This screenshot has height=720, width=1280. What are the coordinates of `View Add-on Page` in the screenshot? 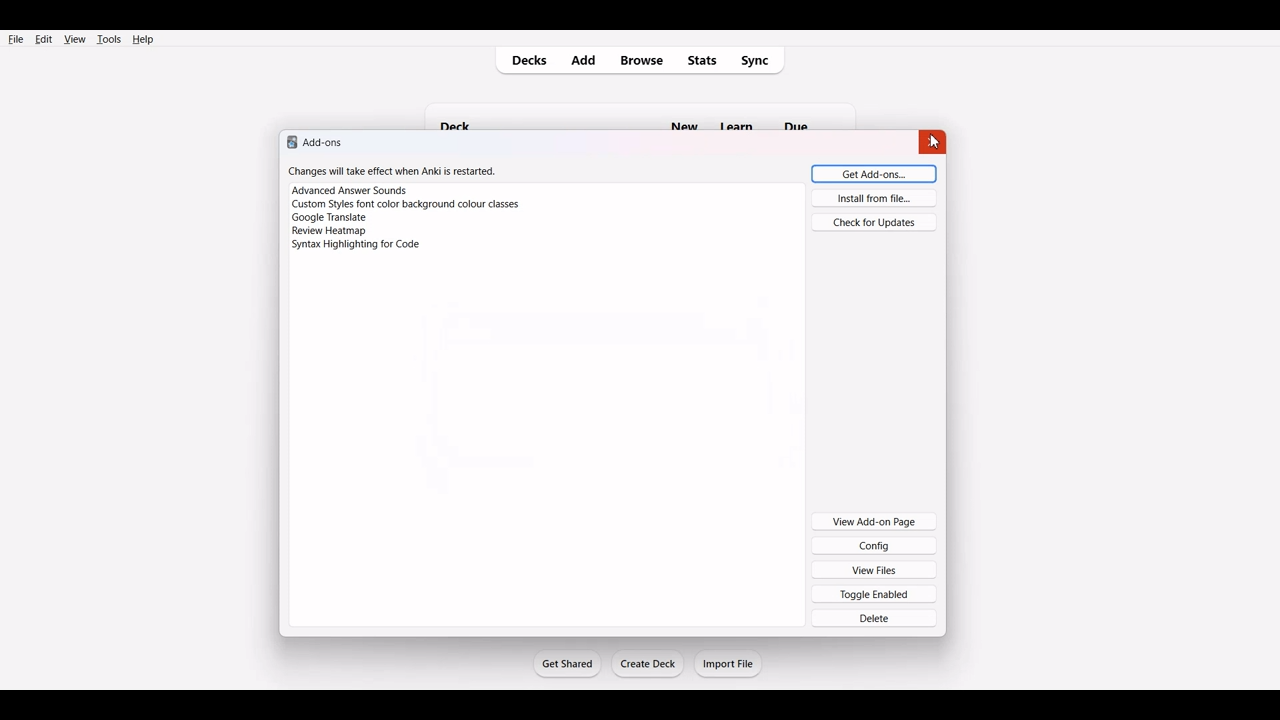 It's located at (874, 520).